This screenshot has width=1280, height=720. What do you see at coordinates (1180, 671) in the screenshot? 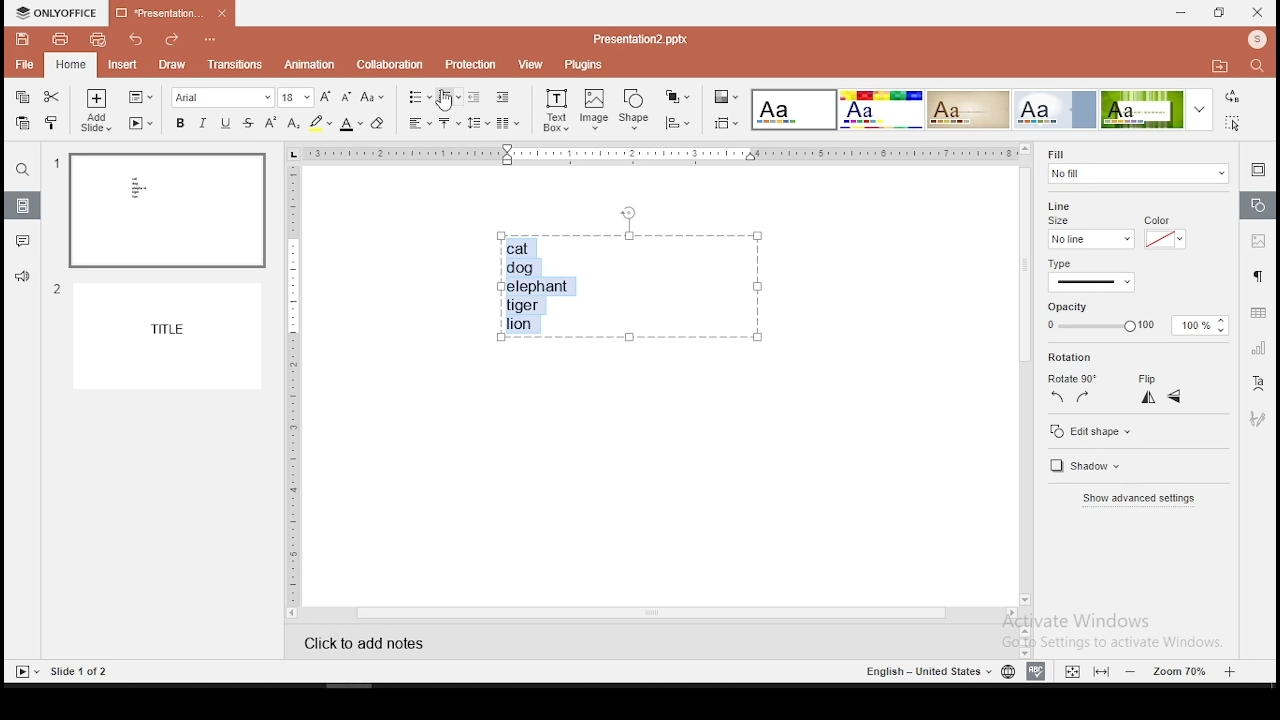
I see `zoom level` at bounding box center [1180, 671].